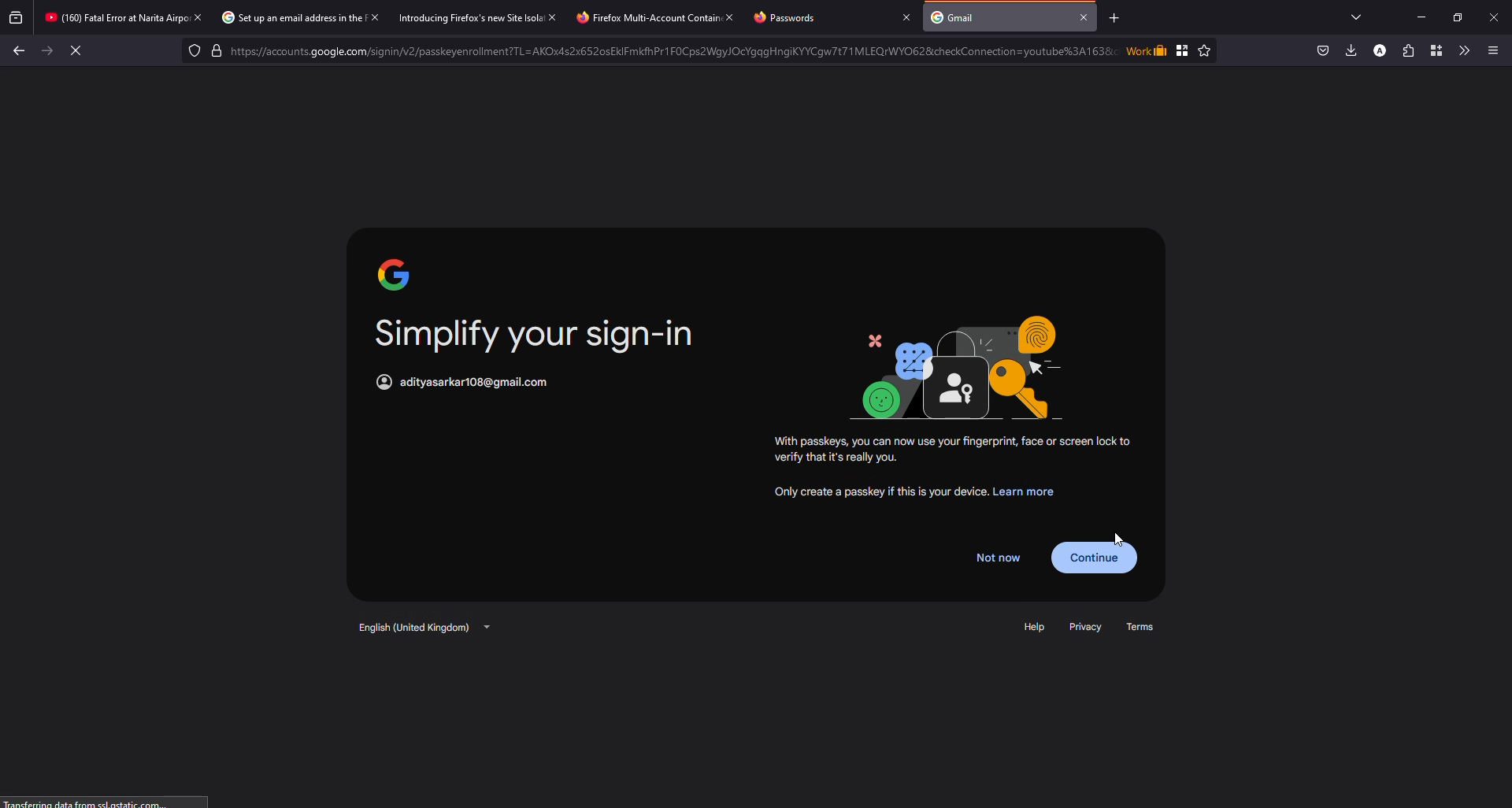 The image size is (1512, 808). I want to click on https://accounts.google.com/signin/v2/passkeyenrollment?TL=AKOx4s2x6520sEIFmkfhPr1 FOCps2WgyJOcYgagHngiKYYCgw7t7 1MLEQrWYO628icheckConnection=youtube%3A1638, so click(668, 52).